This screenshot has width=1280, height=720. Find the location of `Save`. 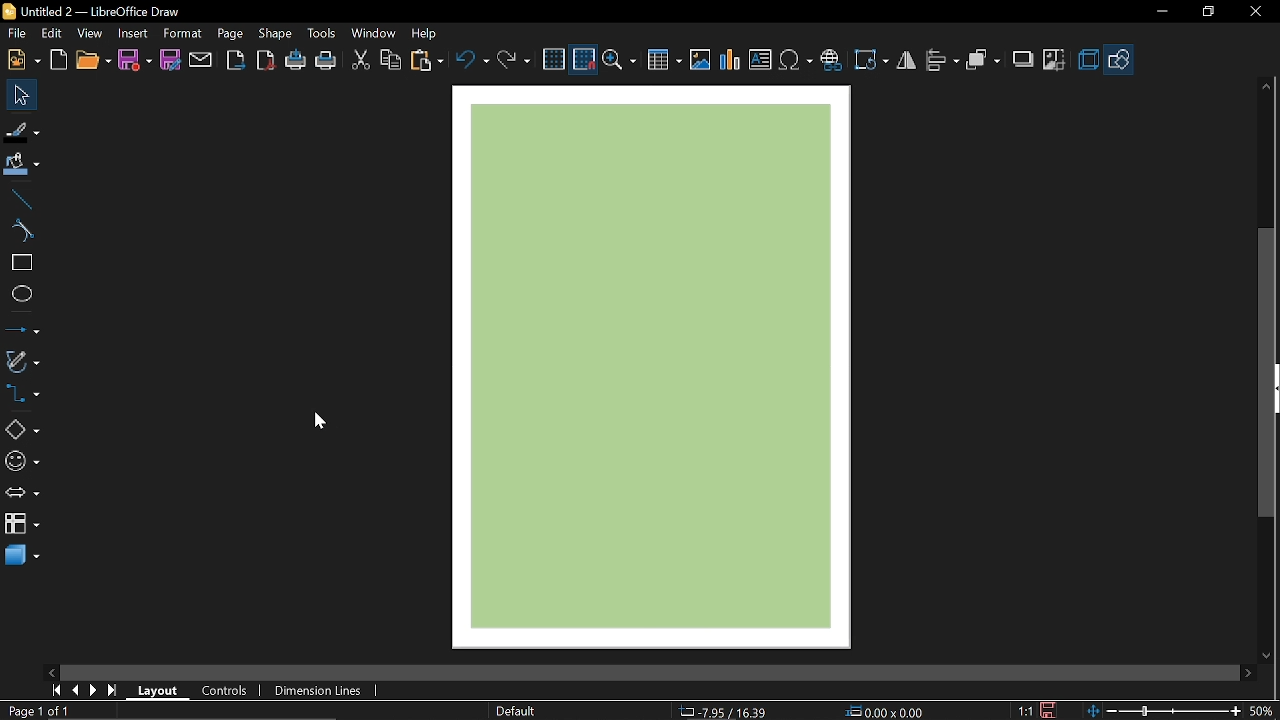

Save is located at coordinates (1049, 710).